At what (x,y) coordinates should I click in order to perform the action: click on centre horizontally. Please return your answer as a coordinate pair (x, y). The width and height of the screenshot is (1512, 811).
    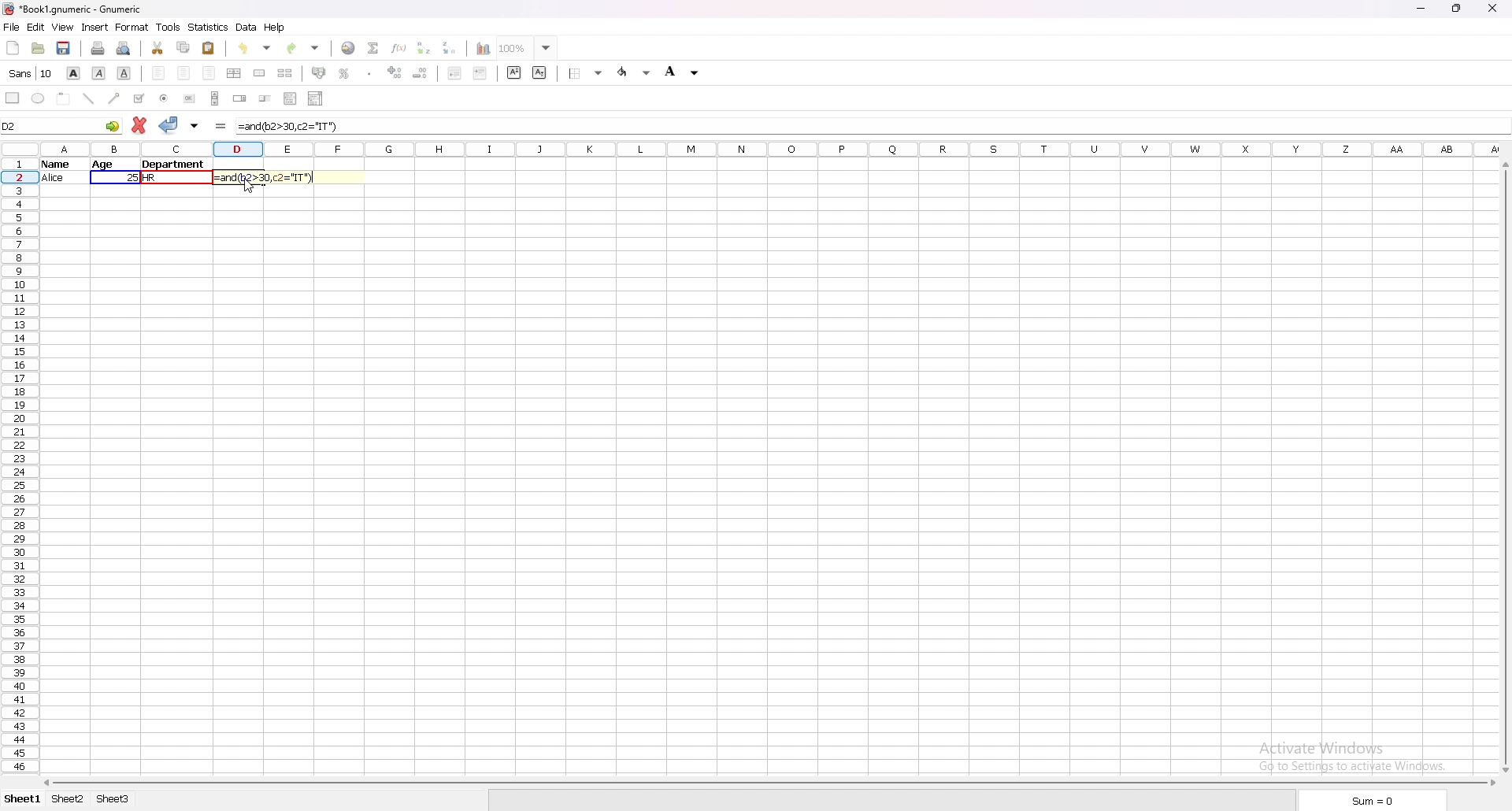
    Looking at the image, I should click on (235, 73).